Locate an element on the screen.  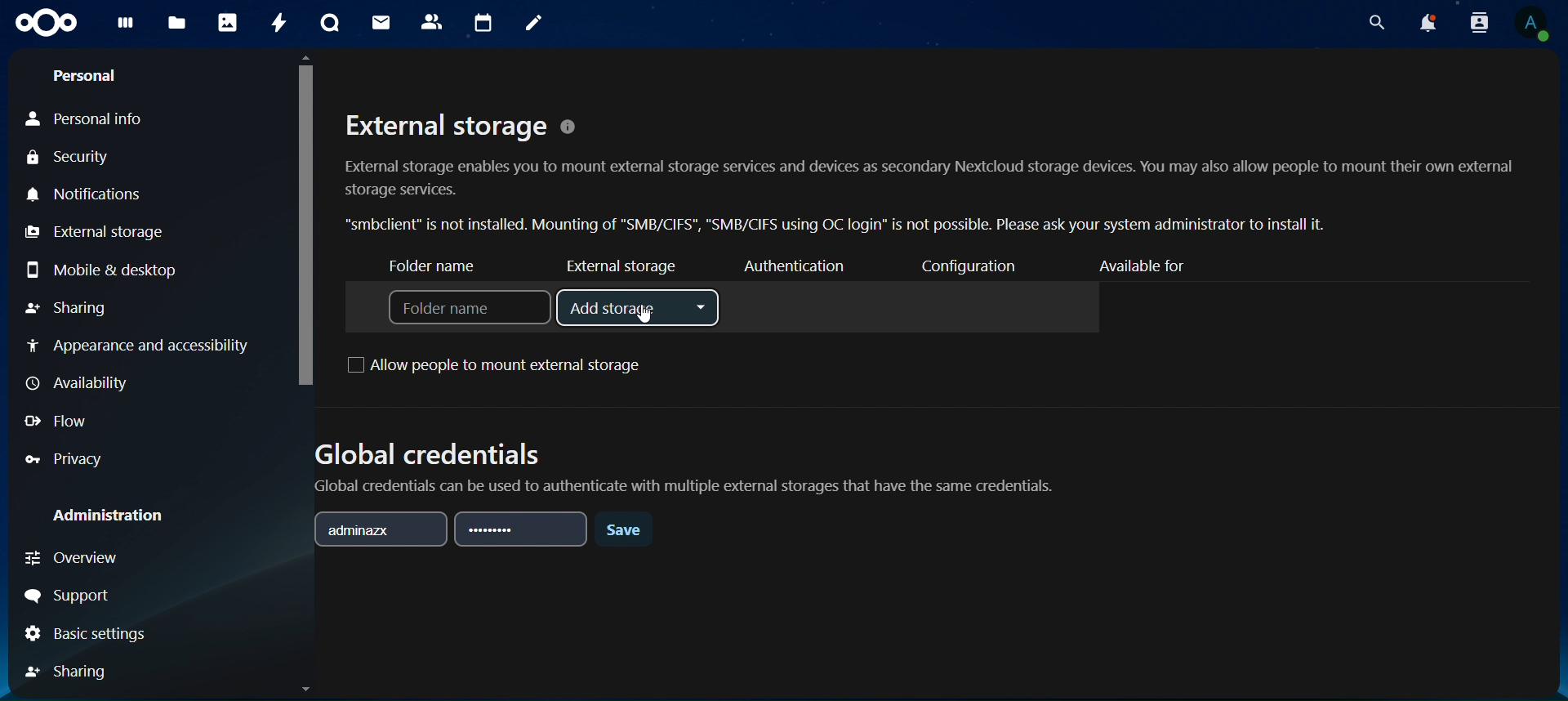
allow people to mount external storage is located at coordinates (501, 364).